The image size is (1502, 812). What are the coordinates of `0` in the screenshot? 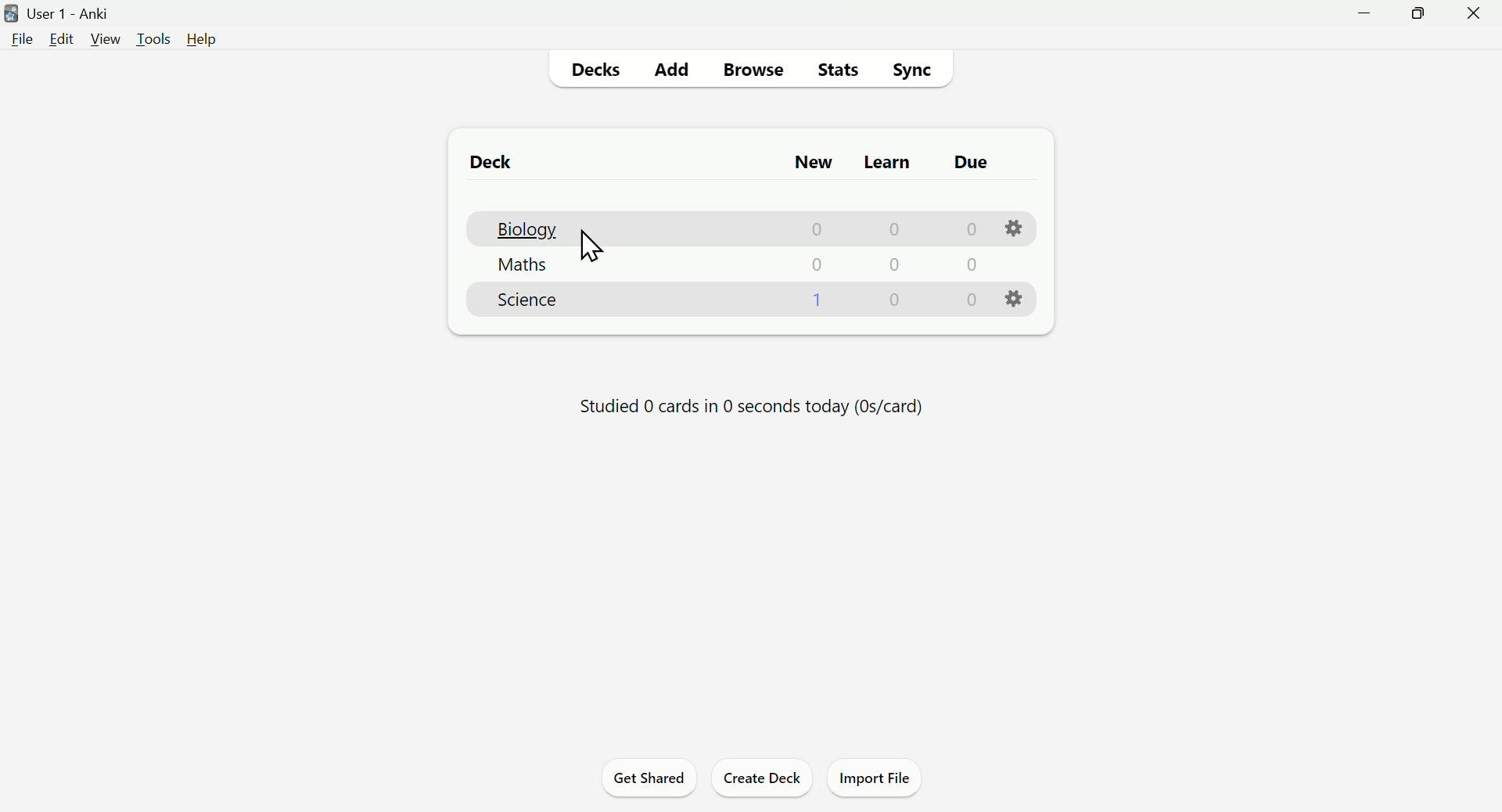 It's located at (817, 228).